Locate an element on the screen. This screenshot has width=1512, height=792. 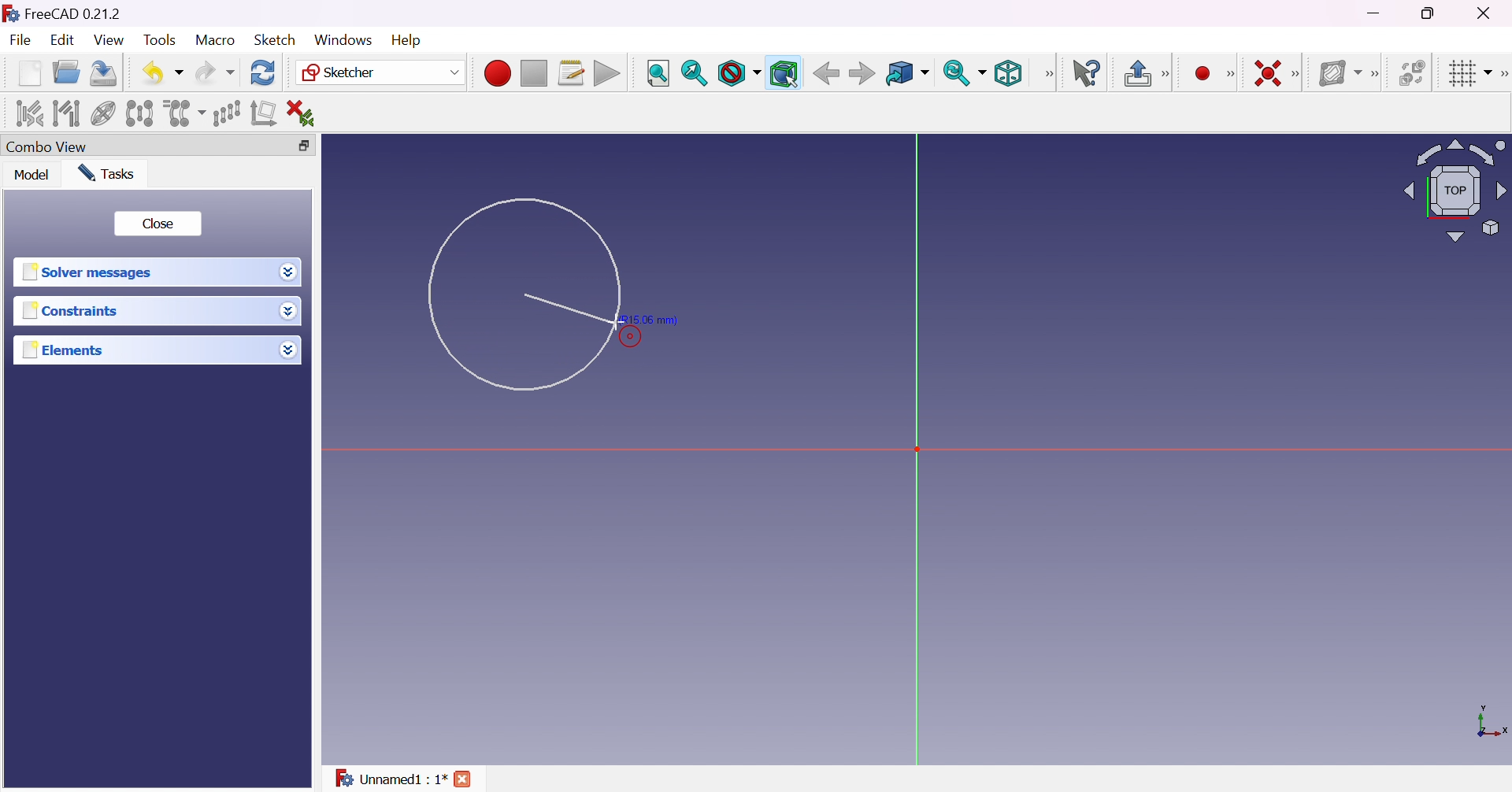
Model is located at coordinates (31, 175).